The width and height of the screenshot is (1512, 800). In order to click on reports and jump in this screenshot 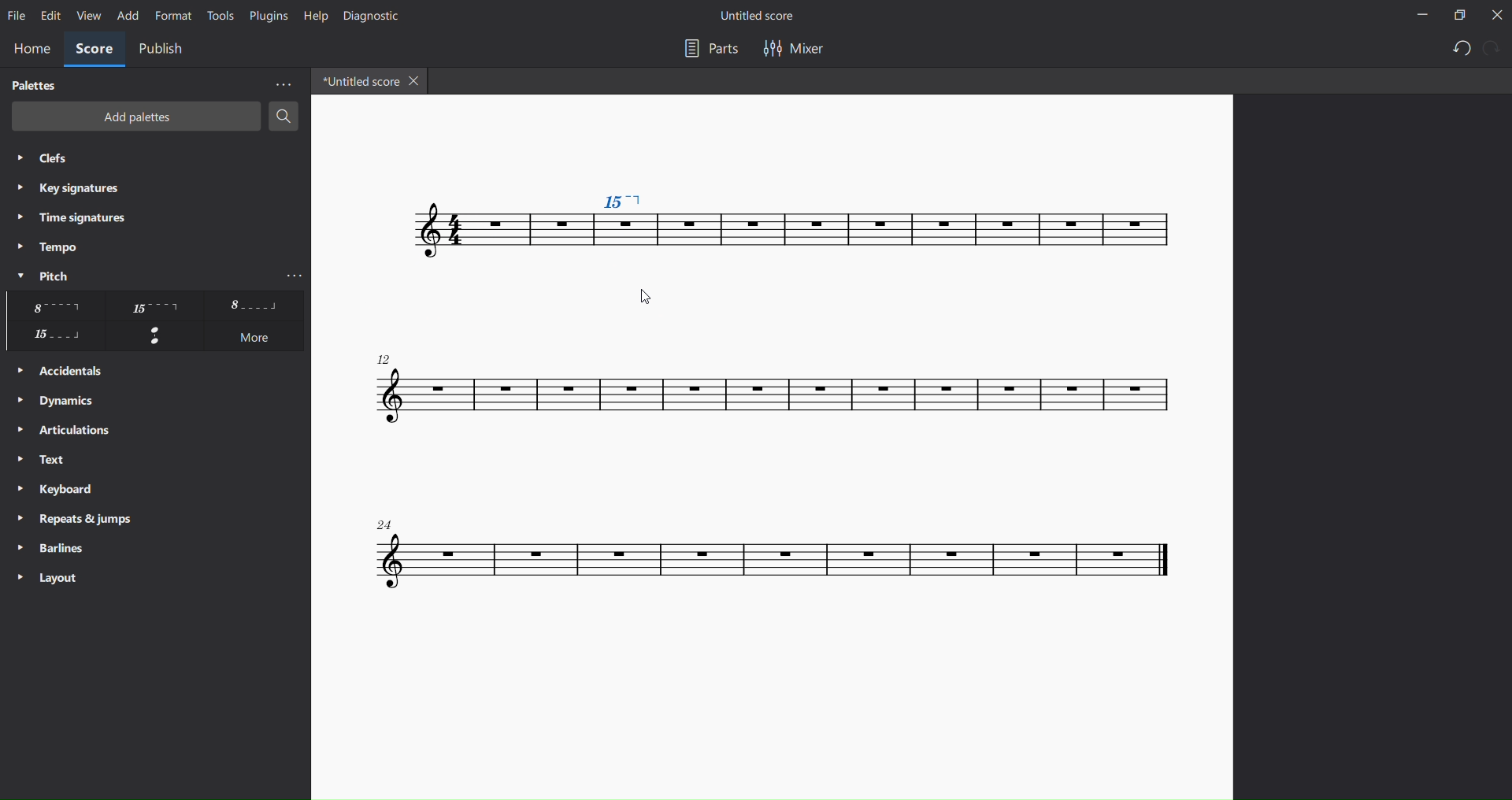, I will do `click(79, 517)`.